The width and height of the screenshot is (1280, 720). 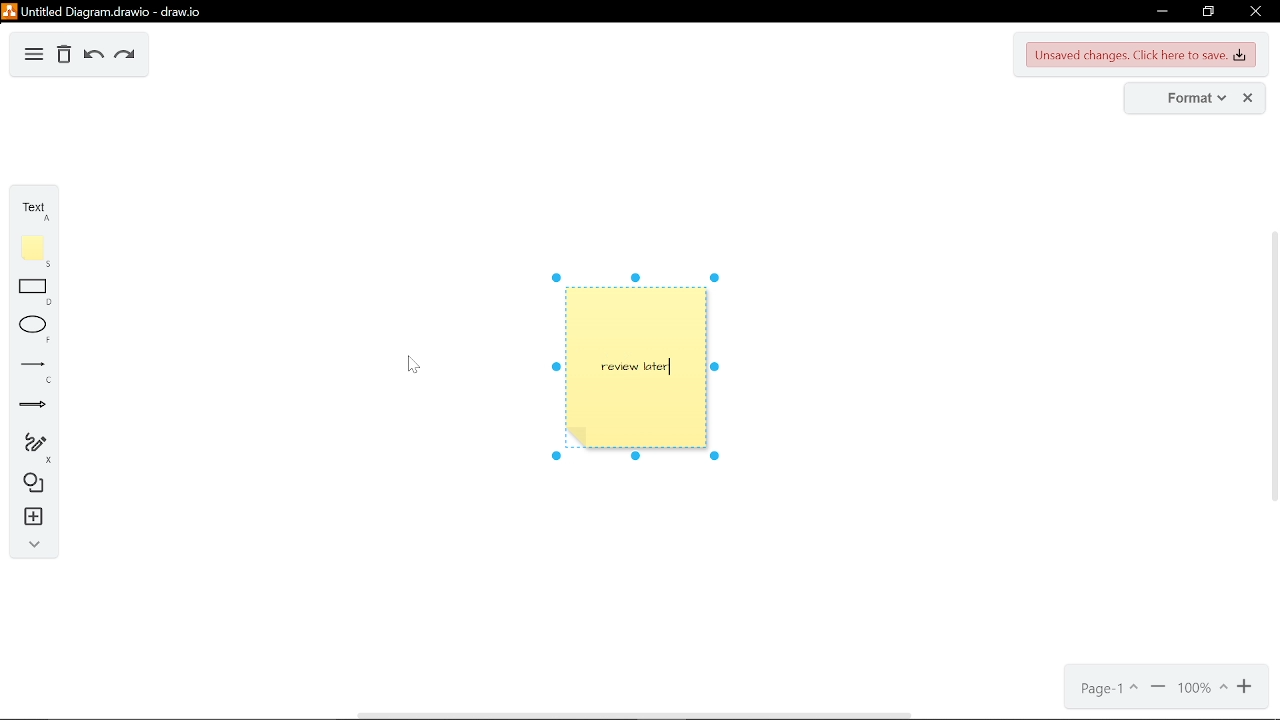 What do you see at coordinates (33, 544) in the screenshot?
I see `collapse` at bounding box center [33, 544].